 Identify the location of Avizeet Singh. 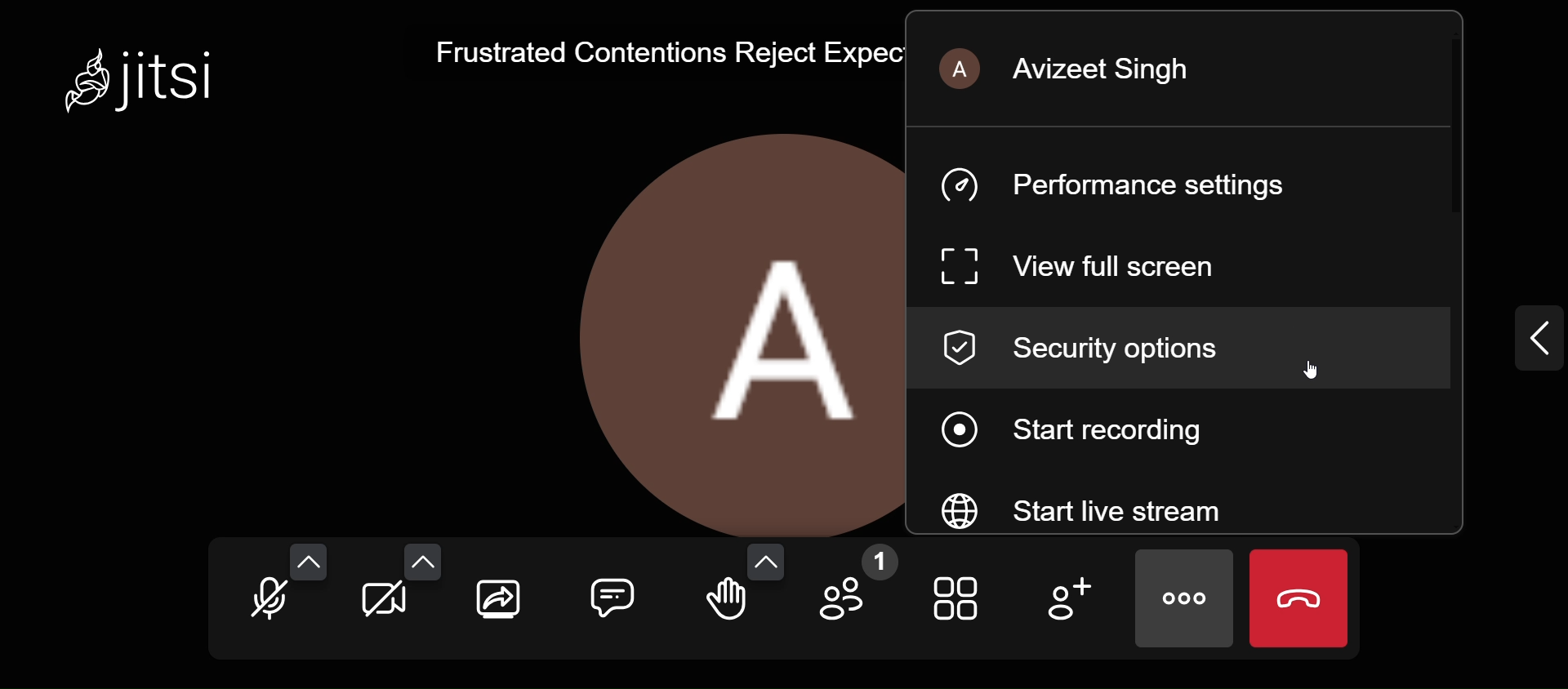
(1080, 66).